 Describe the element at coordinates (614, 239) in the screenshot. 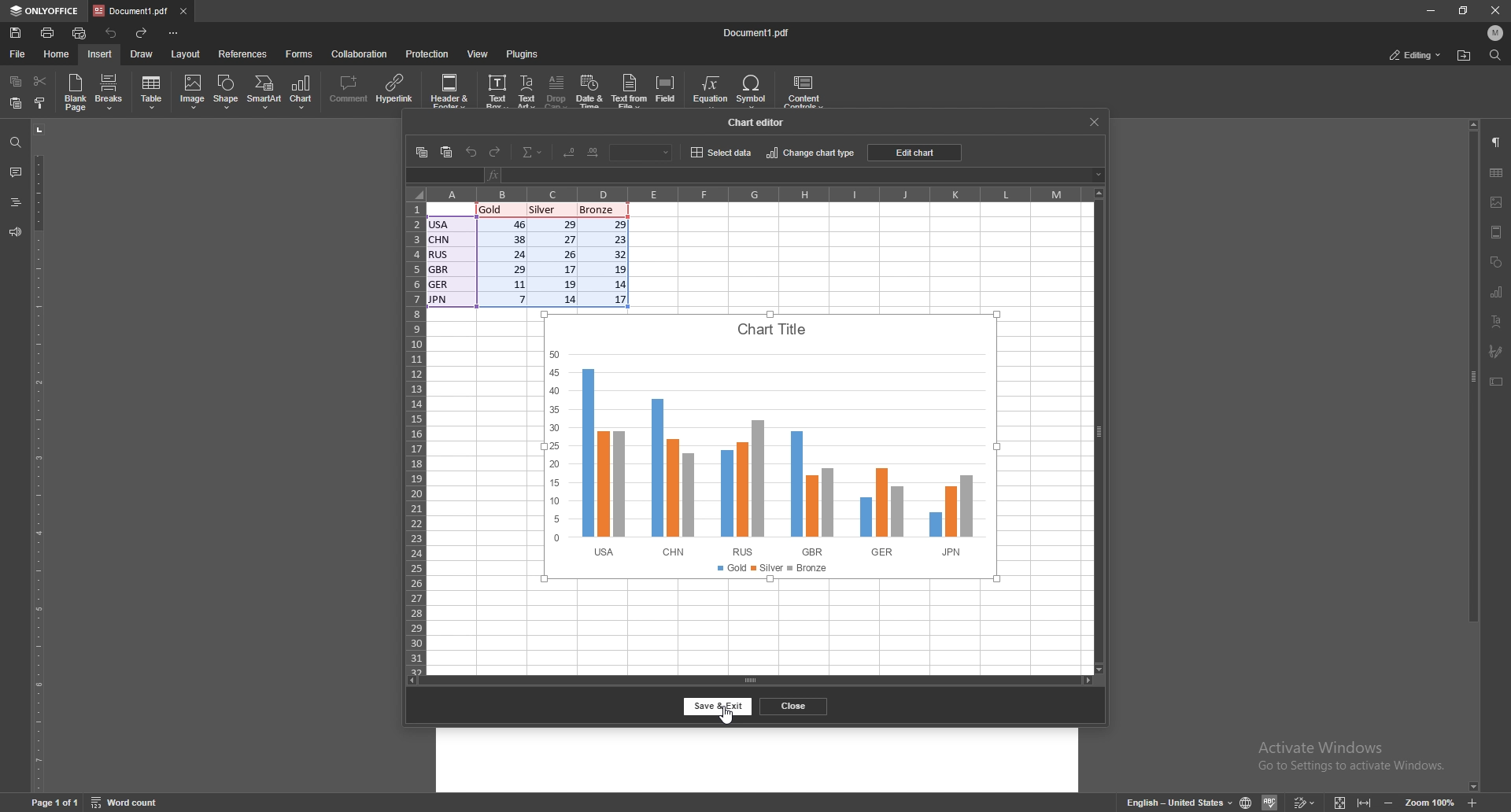

I see `23` at that location.